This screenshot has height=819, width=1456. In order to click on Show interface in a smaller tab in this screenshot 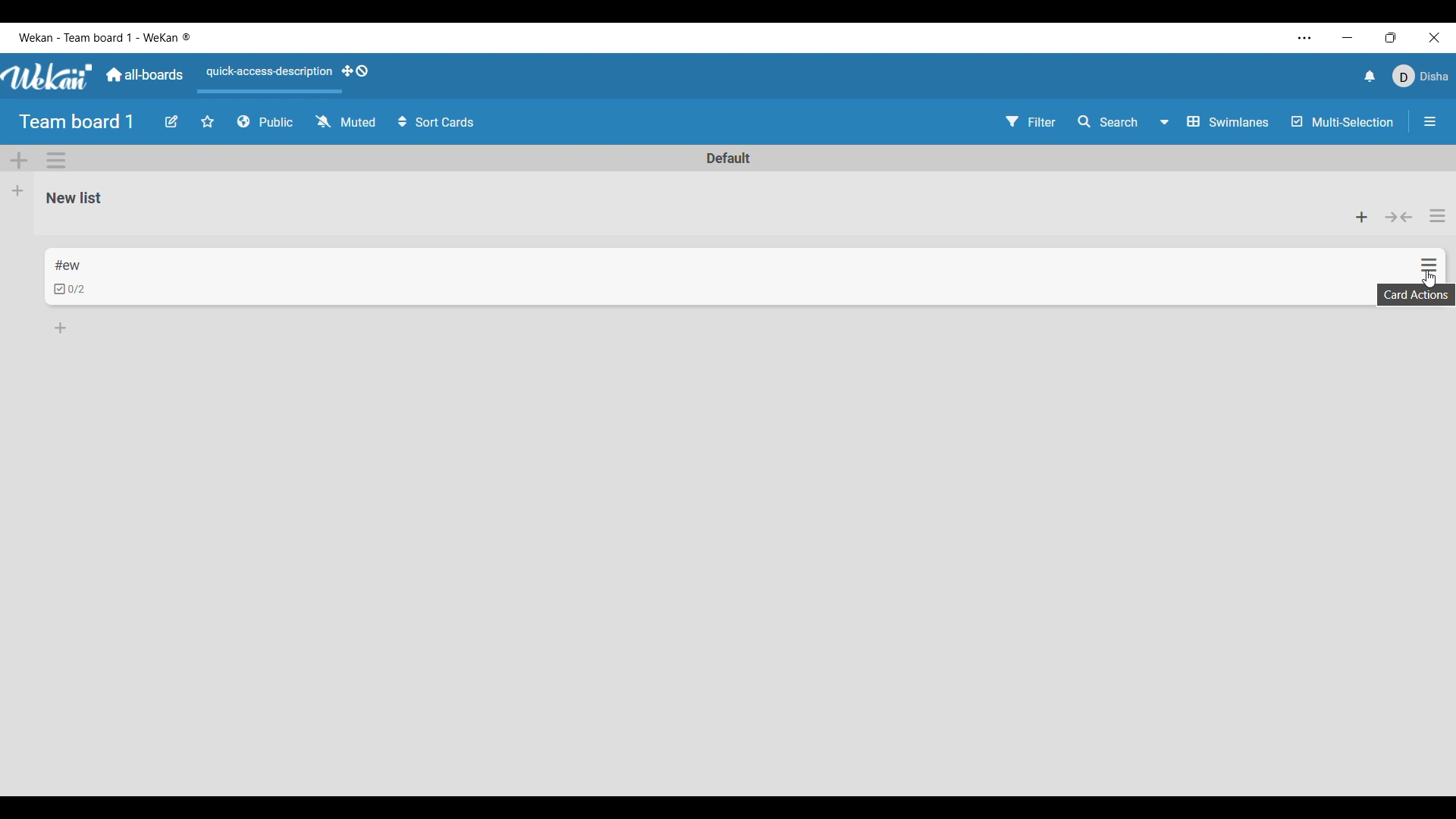, I will do `click(1391, 38)`.